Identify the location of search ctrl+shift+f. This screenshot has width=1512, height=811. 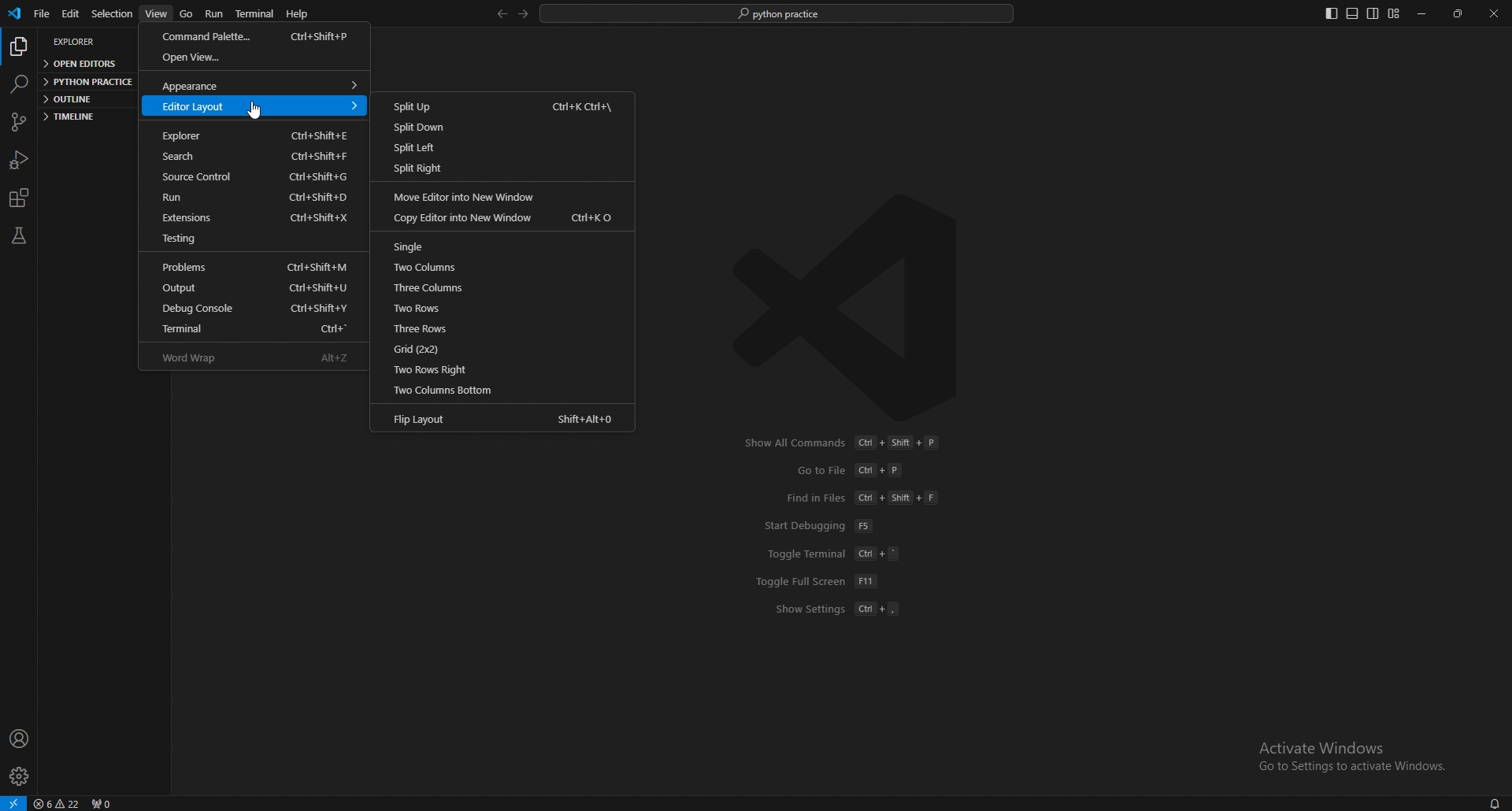
(252, 155).